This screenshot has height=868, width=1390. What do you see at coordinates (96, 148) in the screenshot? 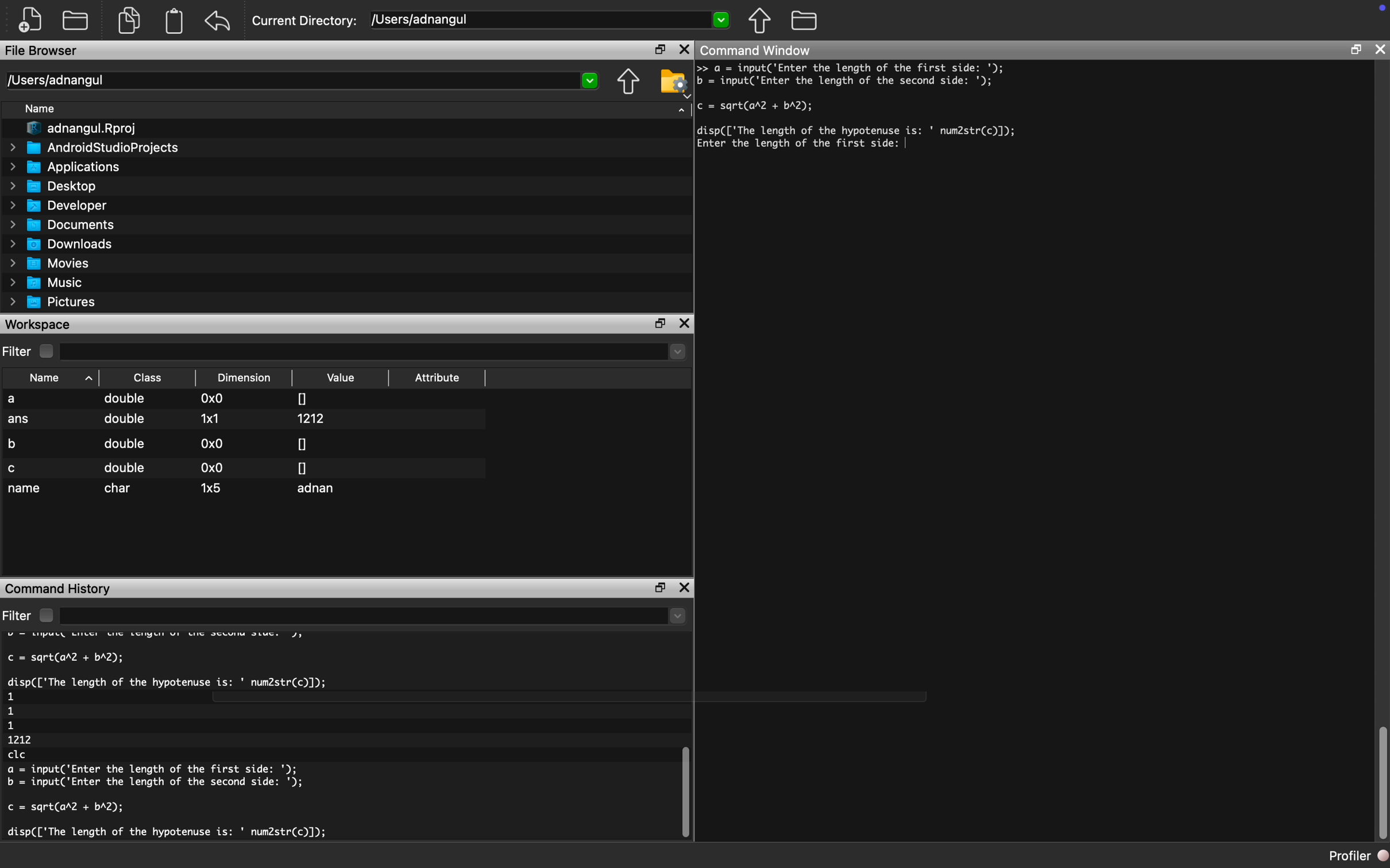
I see `AndroidStudioProjects` at bounding box center [96, 148].